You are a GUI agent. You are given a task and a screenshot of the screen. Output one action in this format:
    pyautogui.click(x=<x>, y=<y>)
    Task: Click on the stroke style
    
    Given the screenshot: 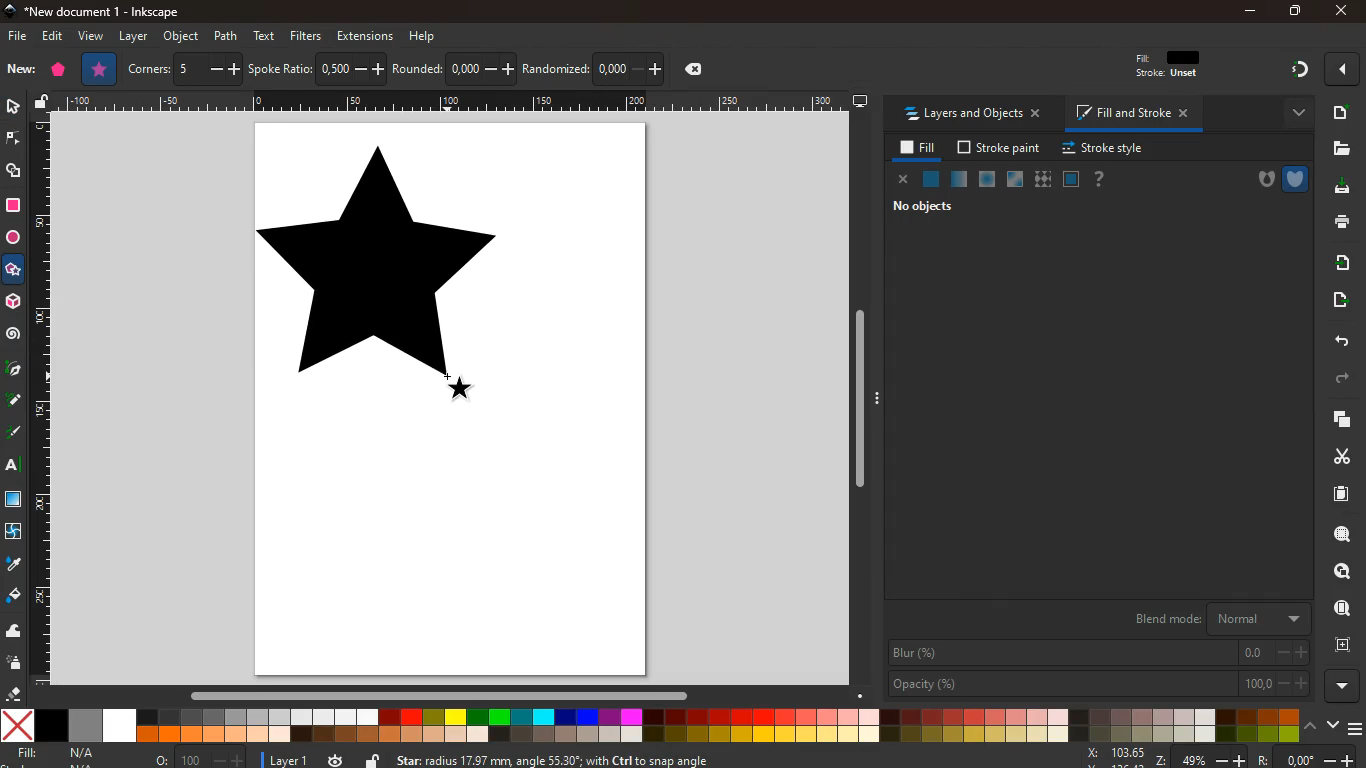 What is the action you would take?
    pyautogui.click(x=1106, y=149)
    